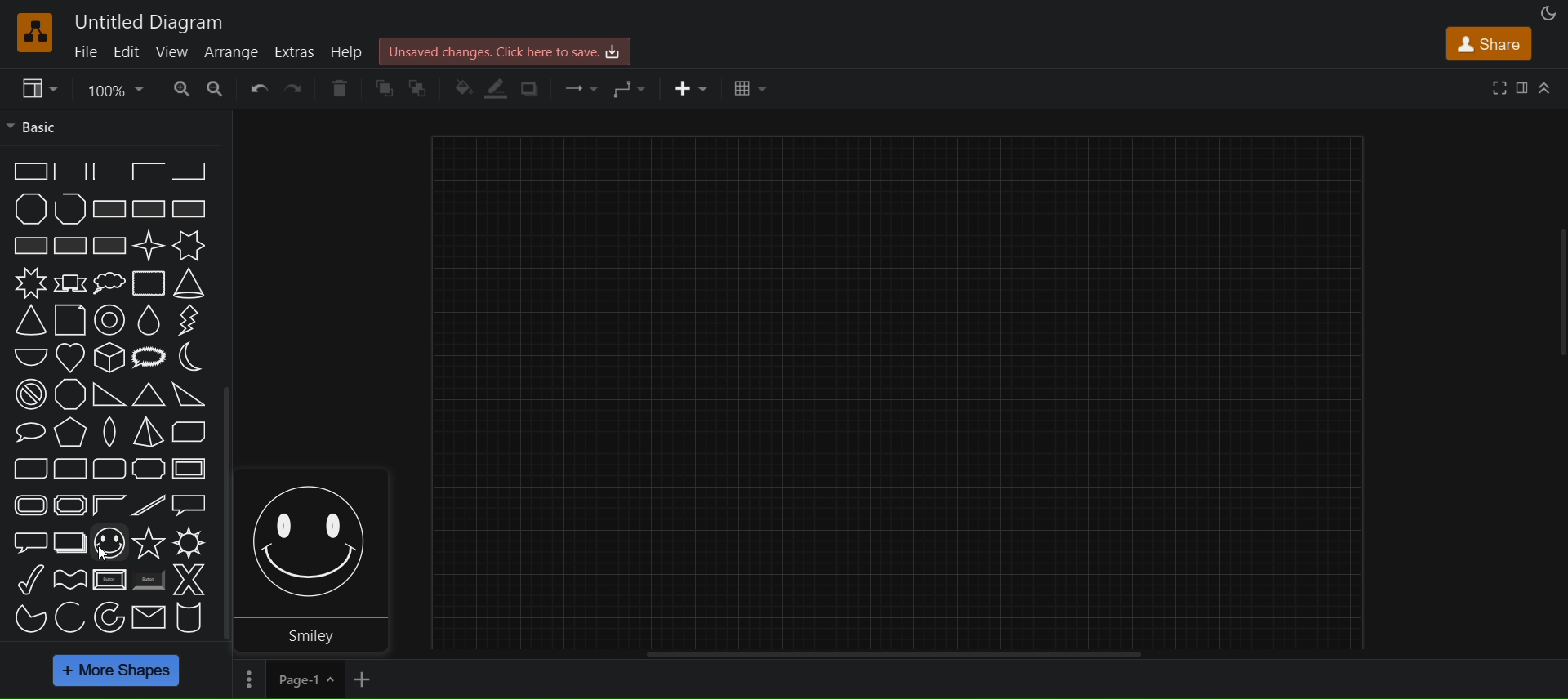  I want to click on vertical scrollbar, so click(224, 515).